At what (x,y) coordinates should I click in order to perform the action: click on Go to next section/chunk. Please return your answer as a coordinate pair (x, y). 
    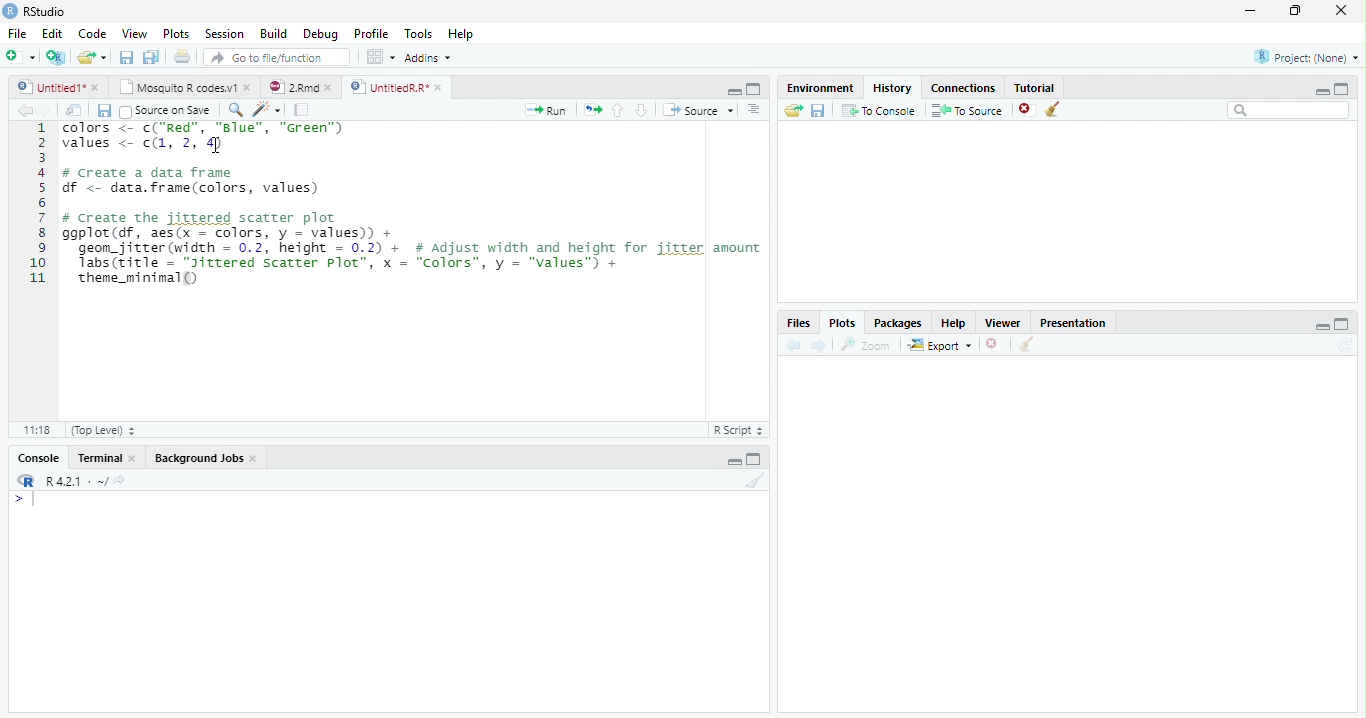
    Looking at the image, I should click on (641, 110).